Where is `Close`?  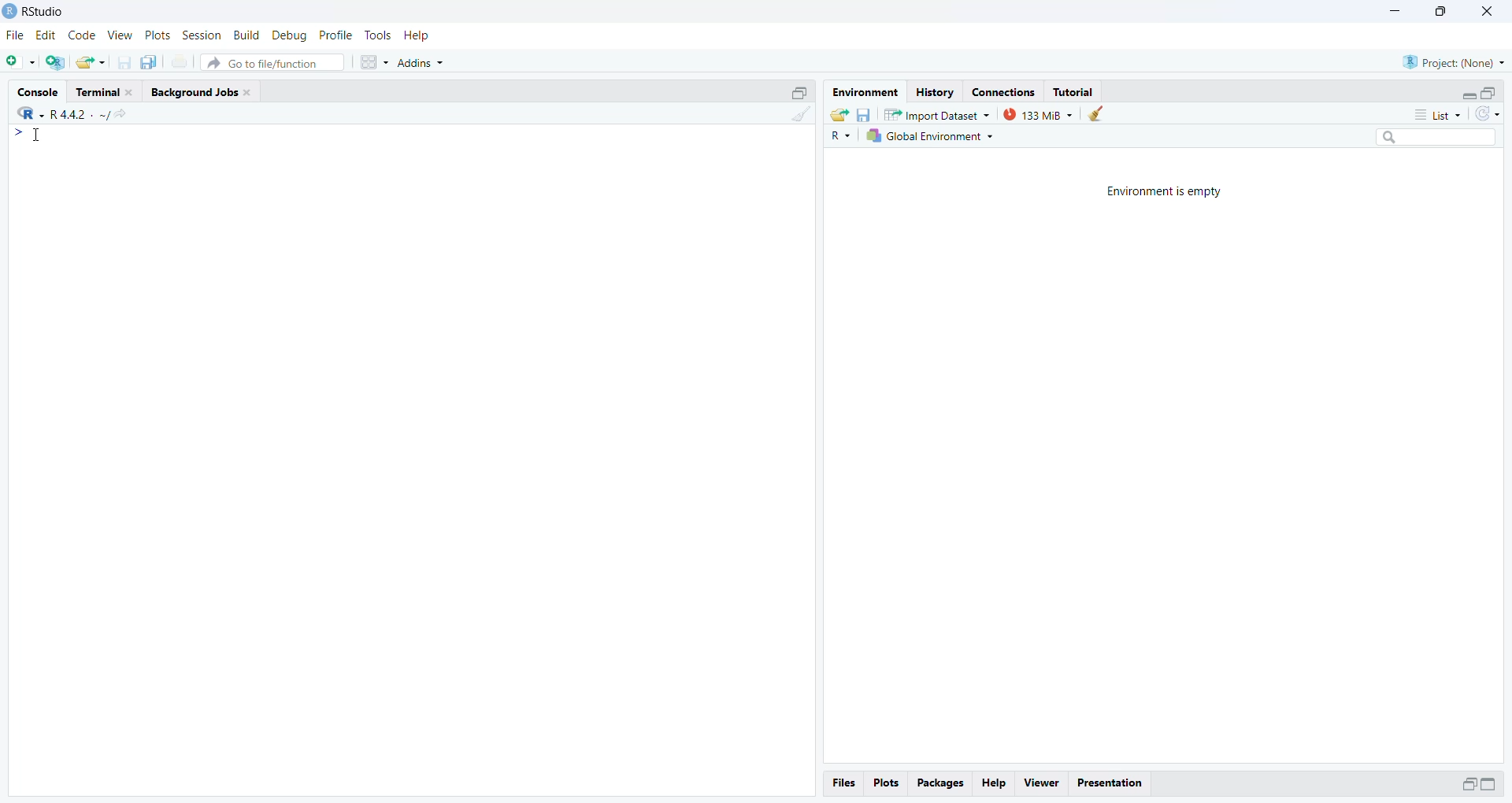 Close is located at coordinates (1480, 13).